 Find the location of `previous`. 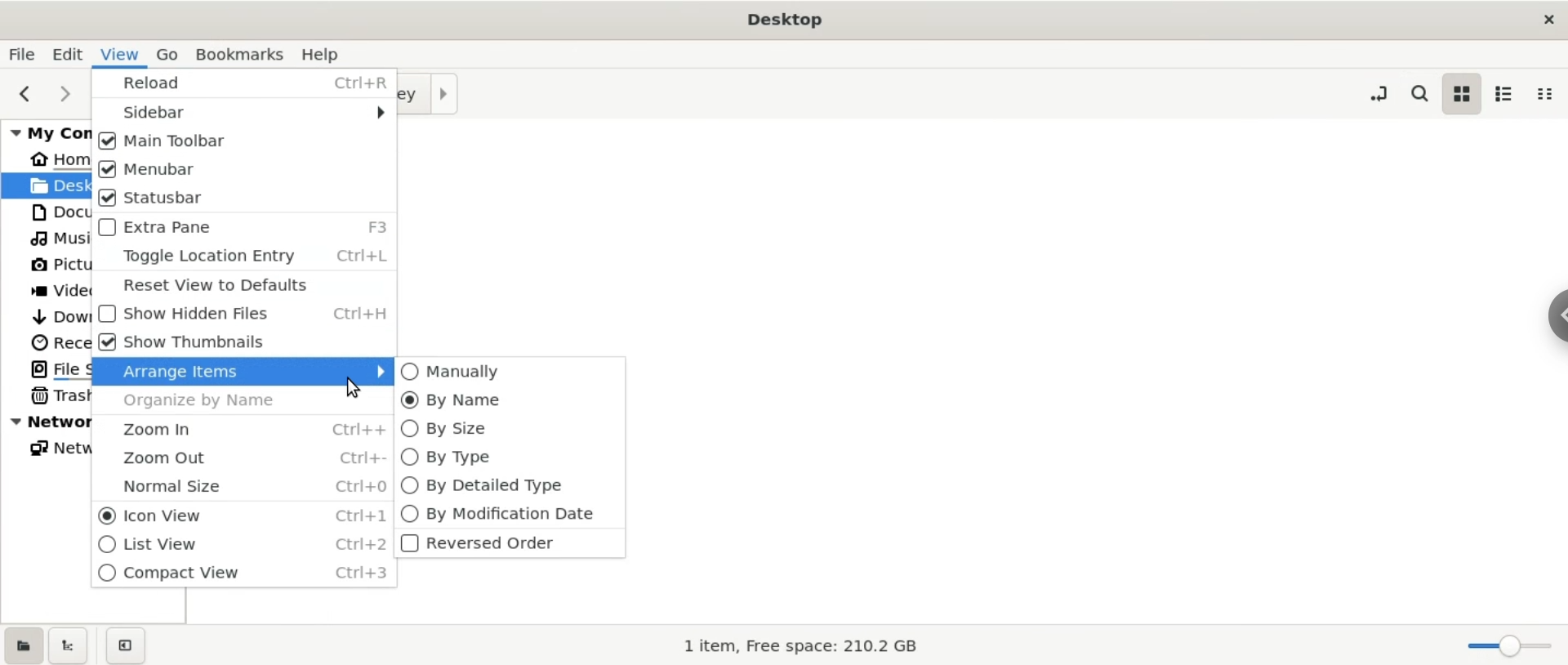

previous is located at coordinates (25, 91).